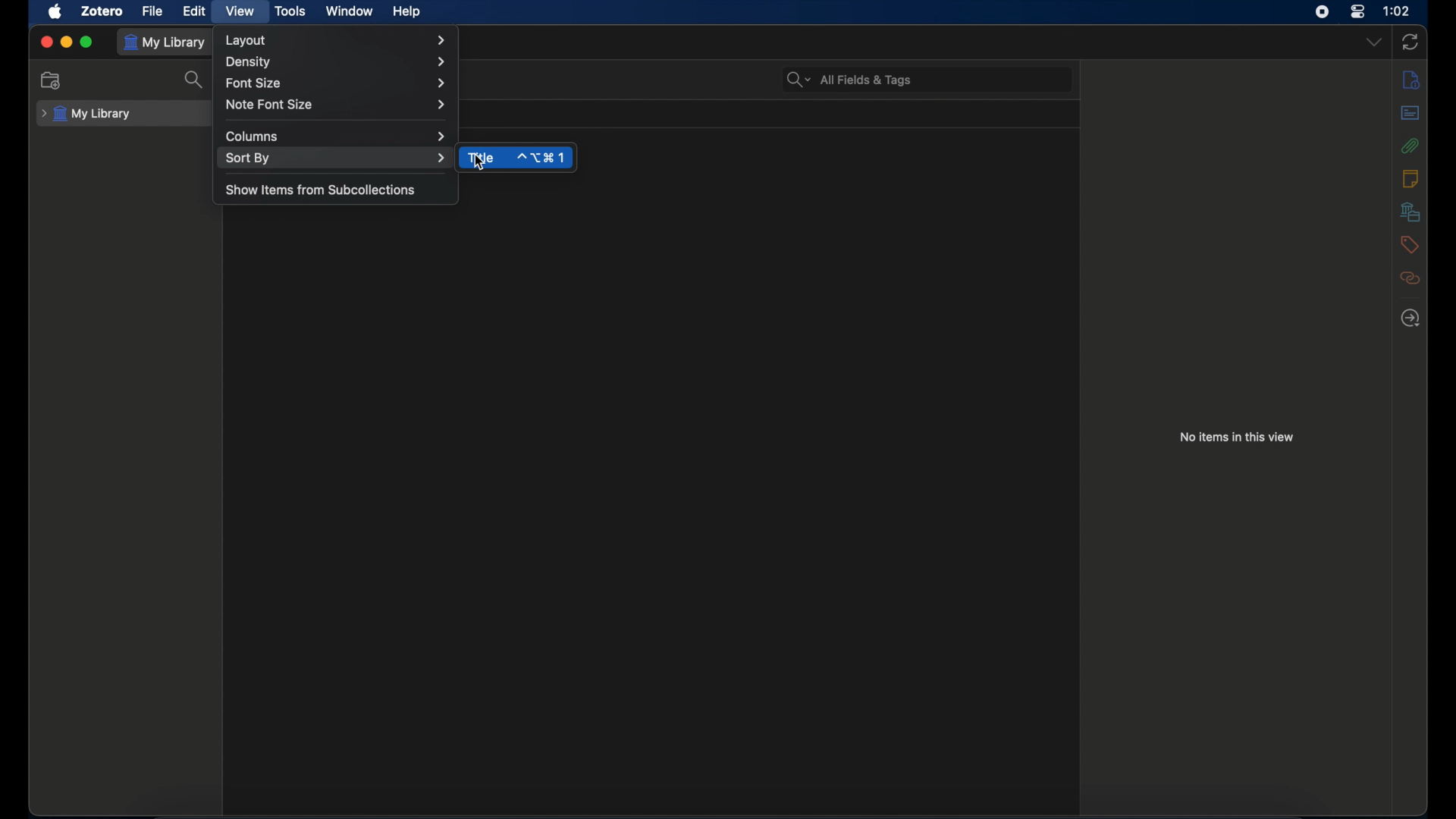 This screenshot has height=819, width=1456. Describe the element at coordinates (1411, 80) in the screenshot. I see `info` at that location.